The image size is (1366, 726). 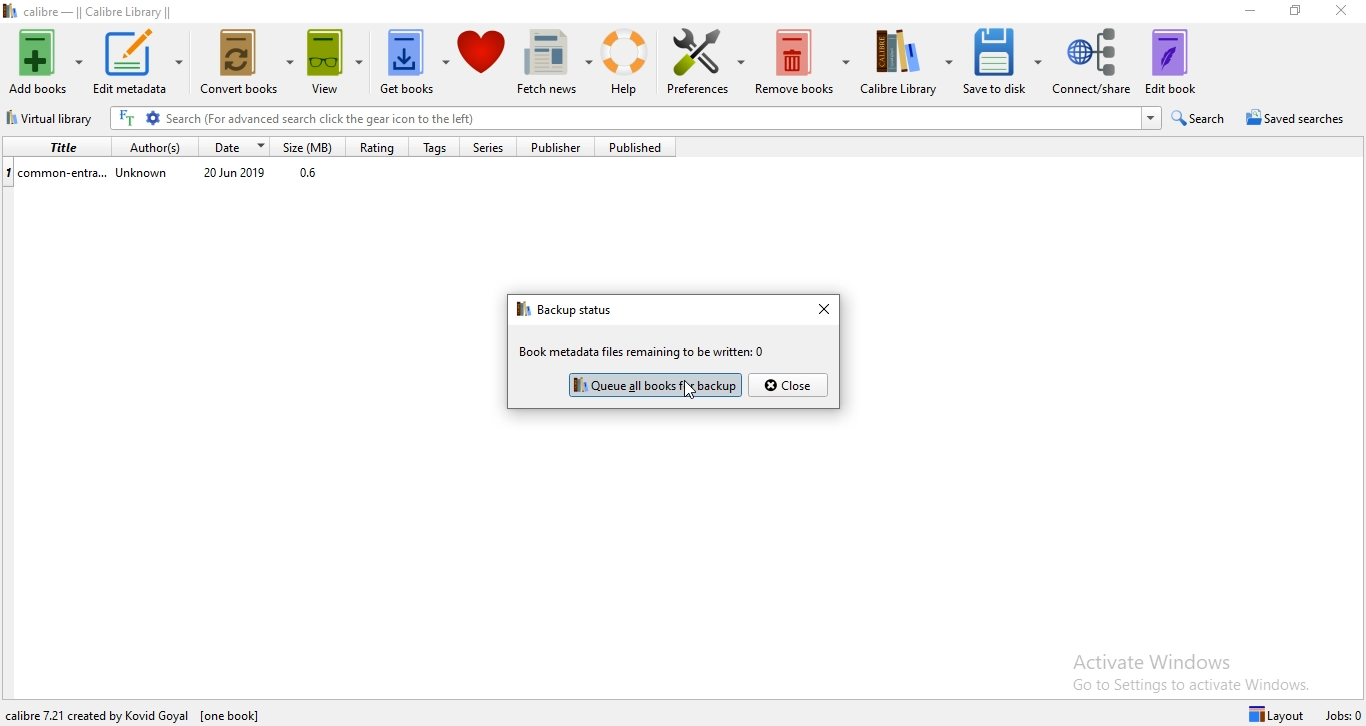 I want to click on Size (MB), so click(x=312, y=146).